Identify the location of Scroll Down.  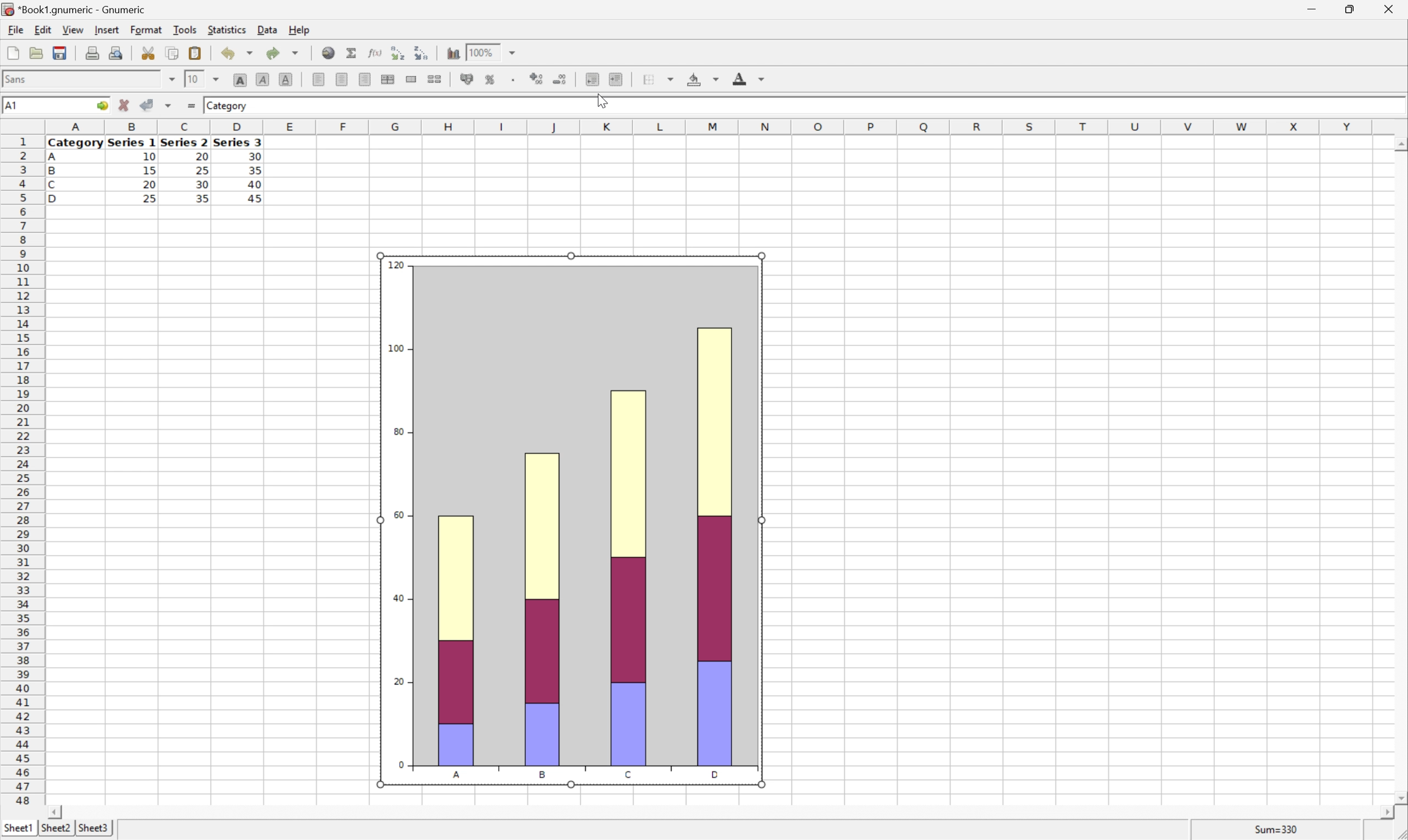
(1399, 799).